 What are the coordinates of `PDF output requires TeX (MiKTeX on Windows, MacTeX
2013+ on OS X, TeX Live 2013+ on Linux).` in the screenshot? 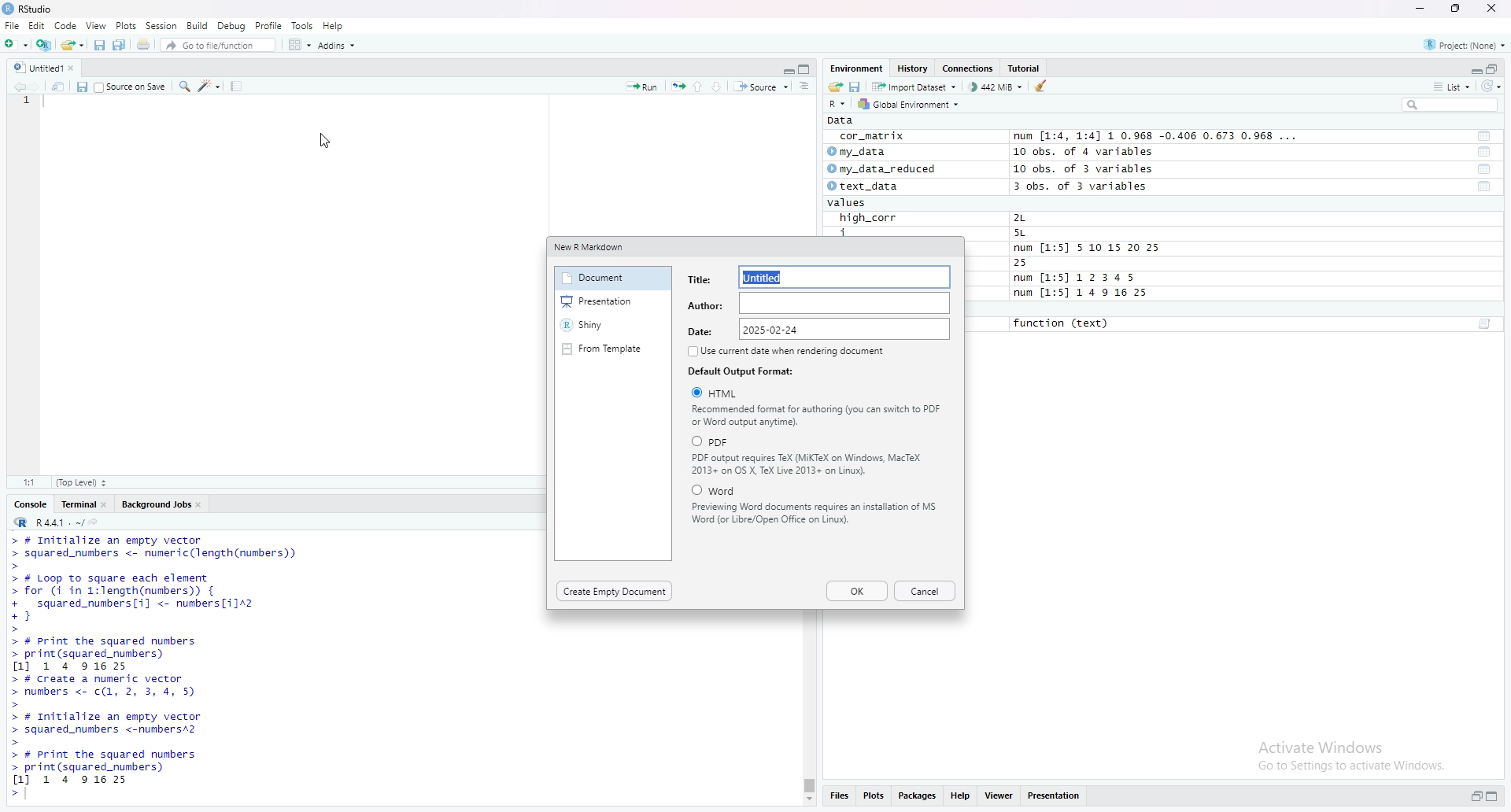 It's located at (810, 464).